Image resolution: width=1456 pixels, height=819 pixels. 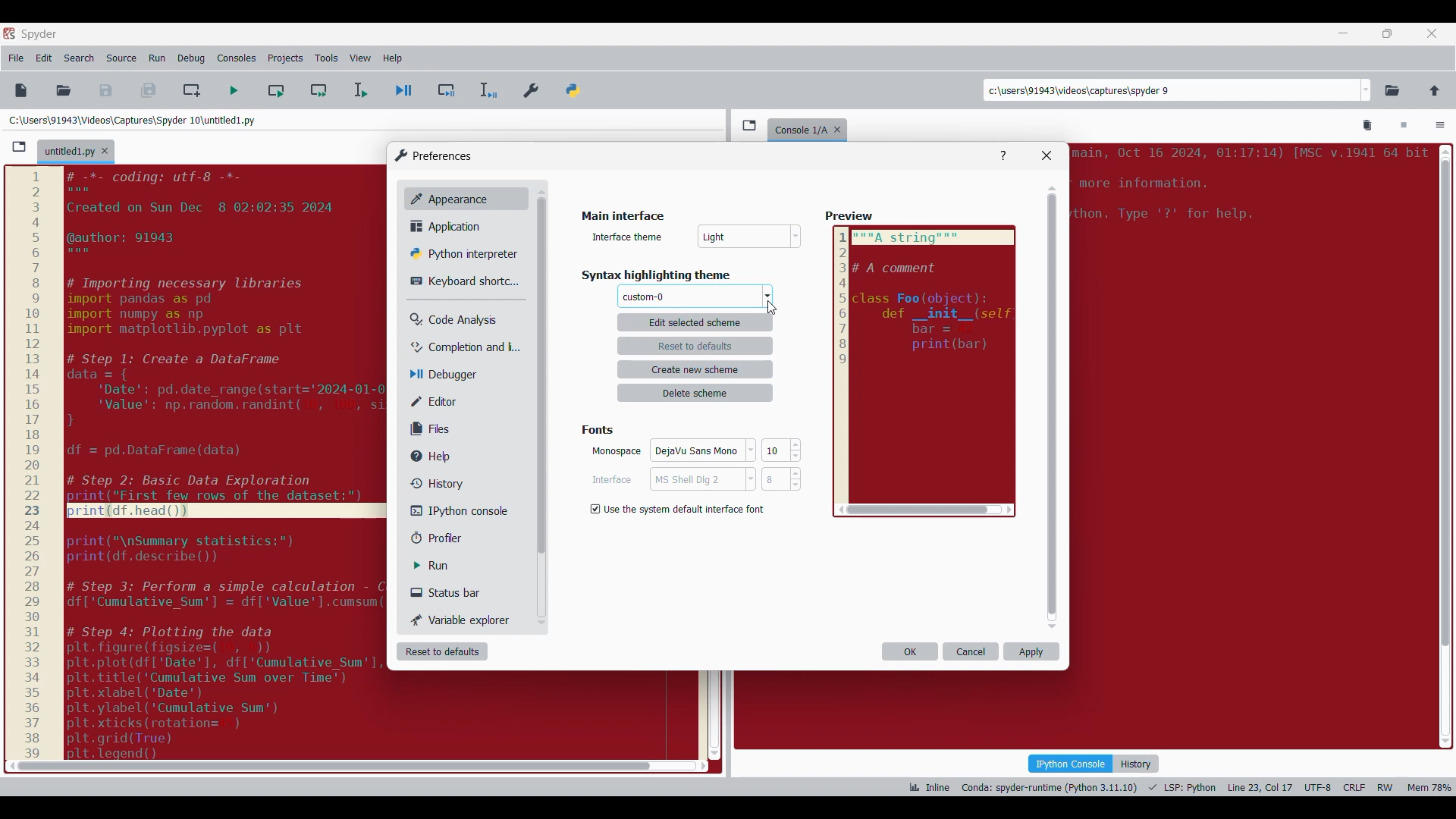 What do you see at coordinates (359, 90) in the screenshot?
I see `Run selection/current line` at bounding box center [359, 90].